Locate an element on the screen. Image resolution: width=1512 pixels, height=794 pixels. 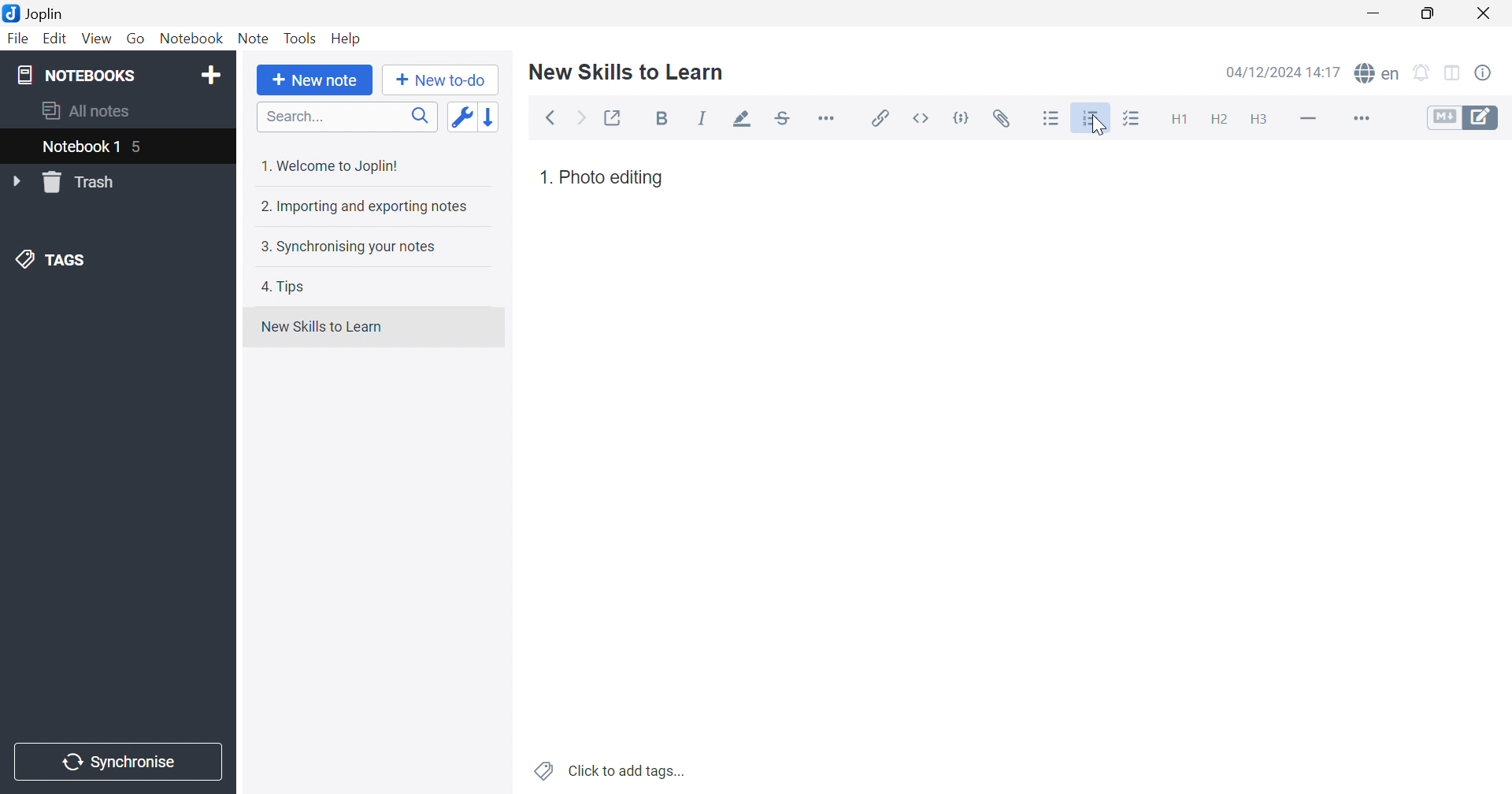
Code Block is located at coordinates (965, 121).